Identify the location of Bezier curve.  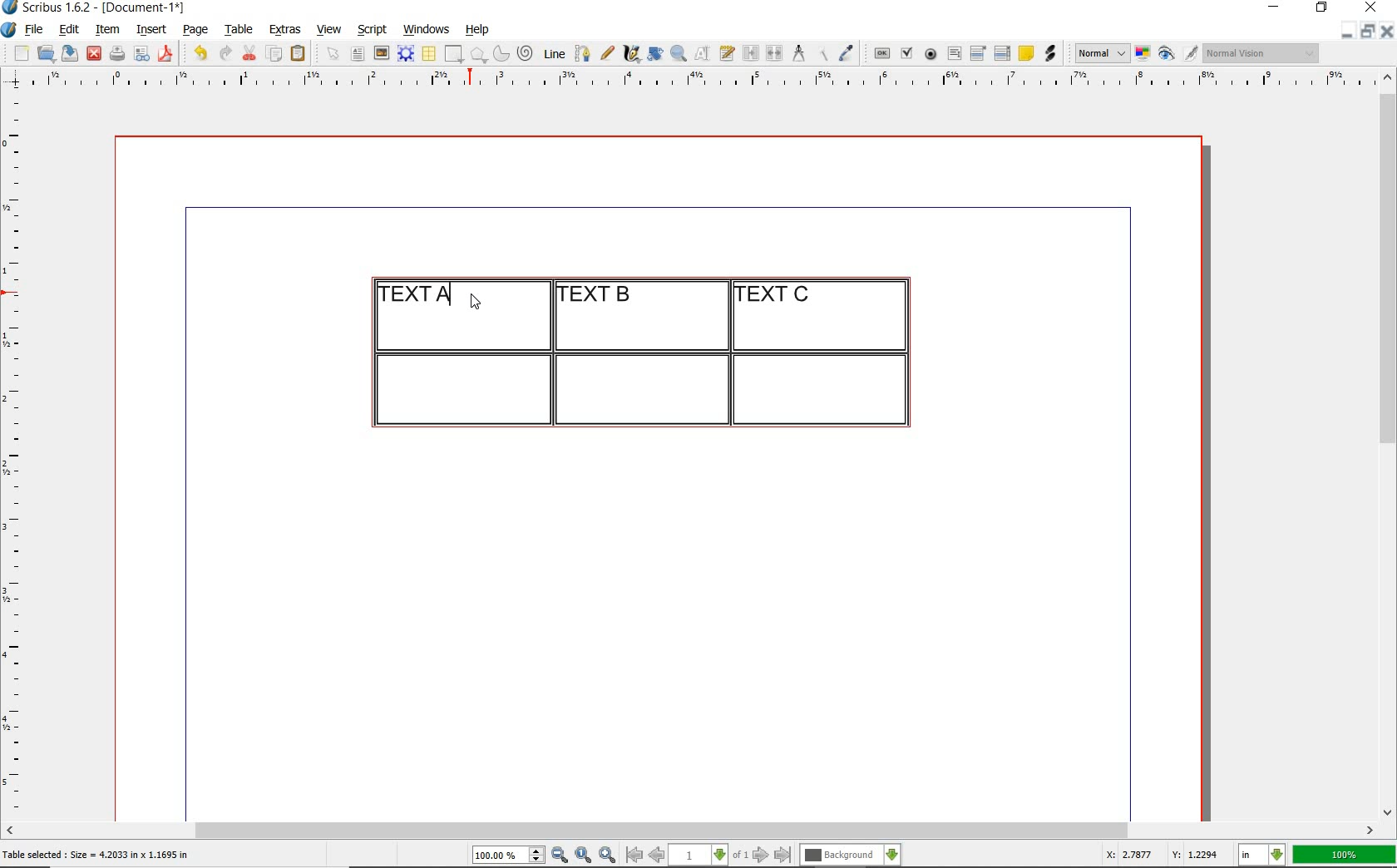
(581, 53).